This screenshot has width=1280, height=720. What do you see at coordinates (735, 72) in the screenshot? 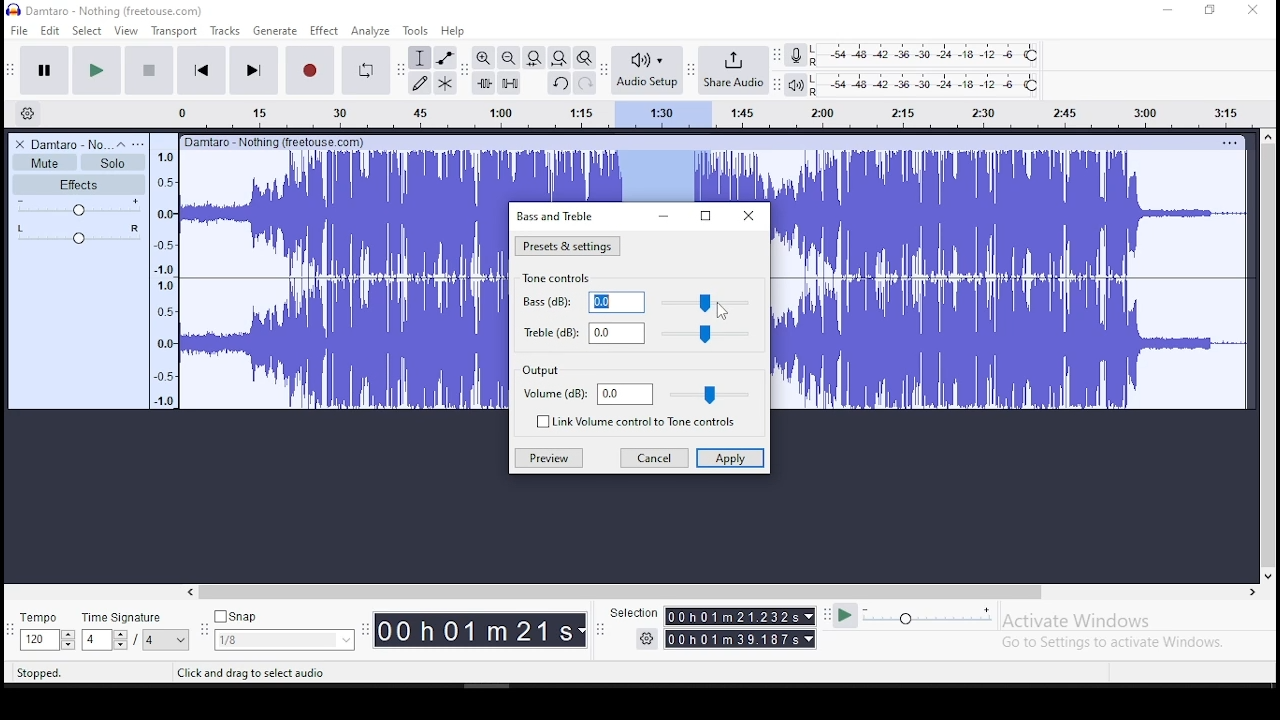
I see `share audio` at bounding box center [735, 72].